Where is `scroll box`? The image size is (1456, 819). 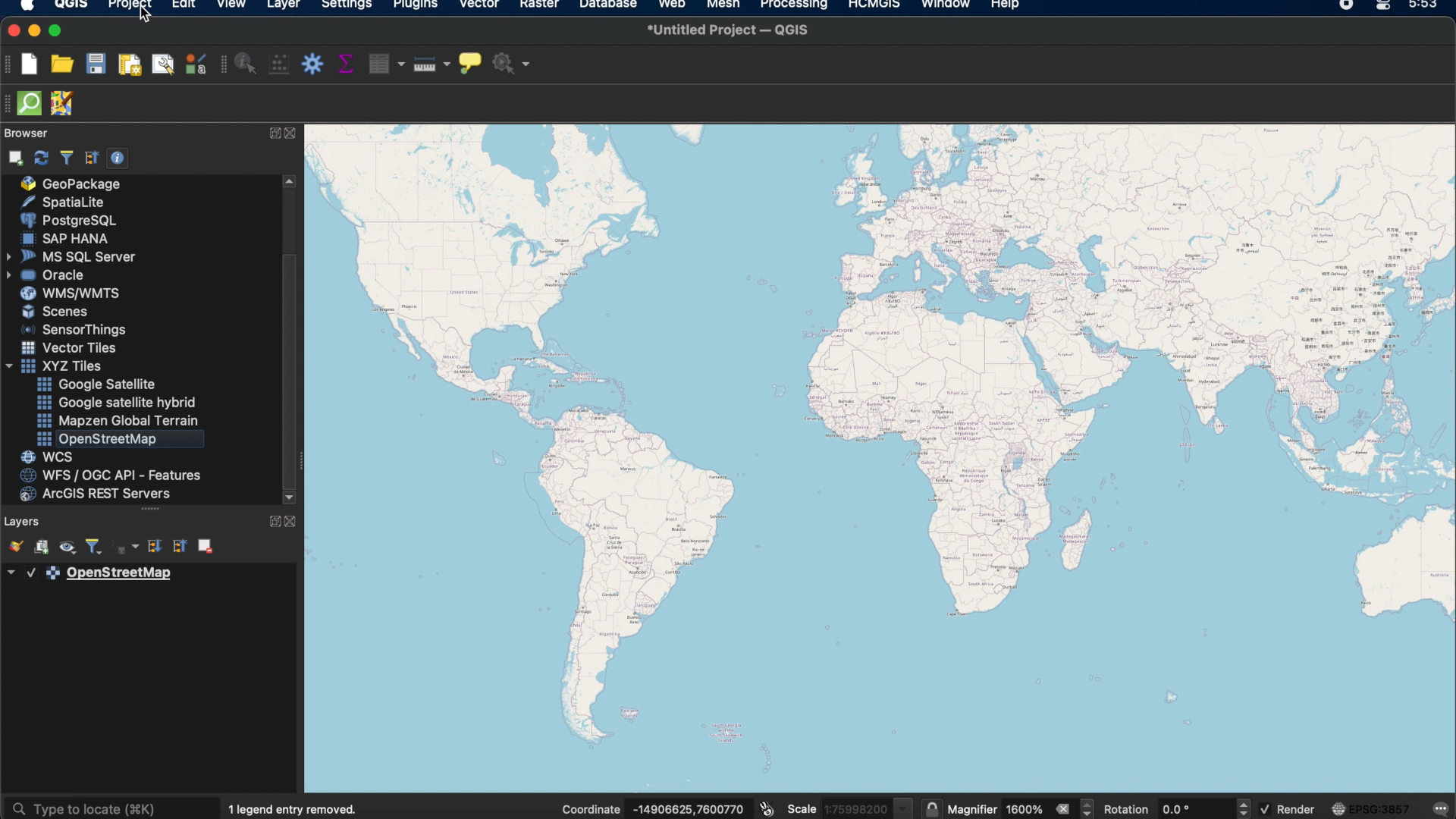 scroll box is located at coordinates (292, 353).